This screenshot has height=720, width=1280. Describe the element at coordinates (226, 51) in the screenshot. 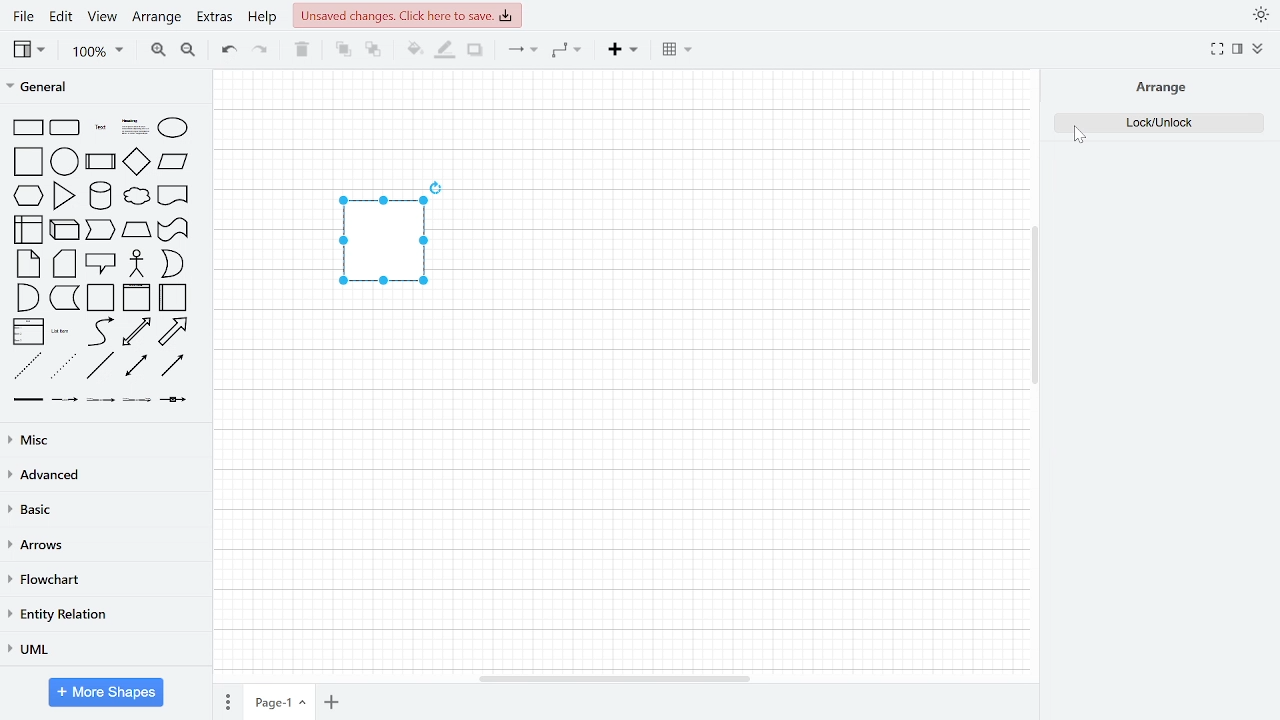

I see `undo` at that location.